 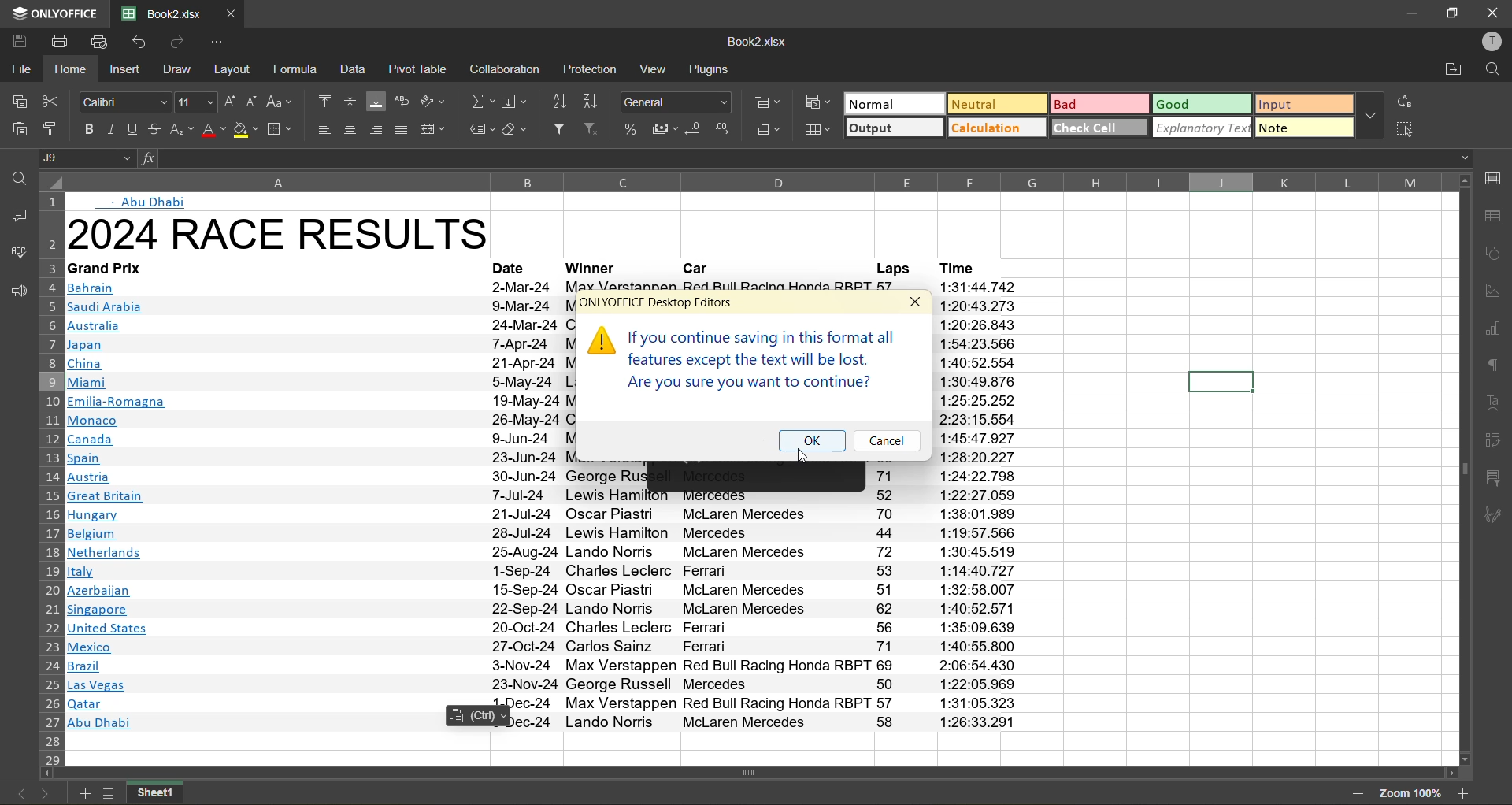 What do you see at coordinates (47, 775) in the screenshot?
I see `move left` at bounding box center [47, 775].